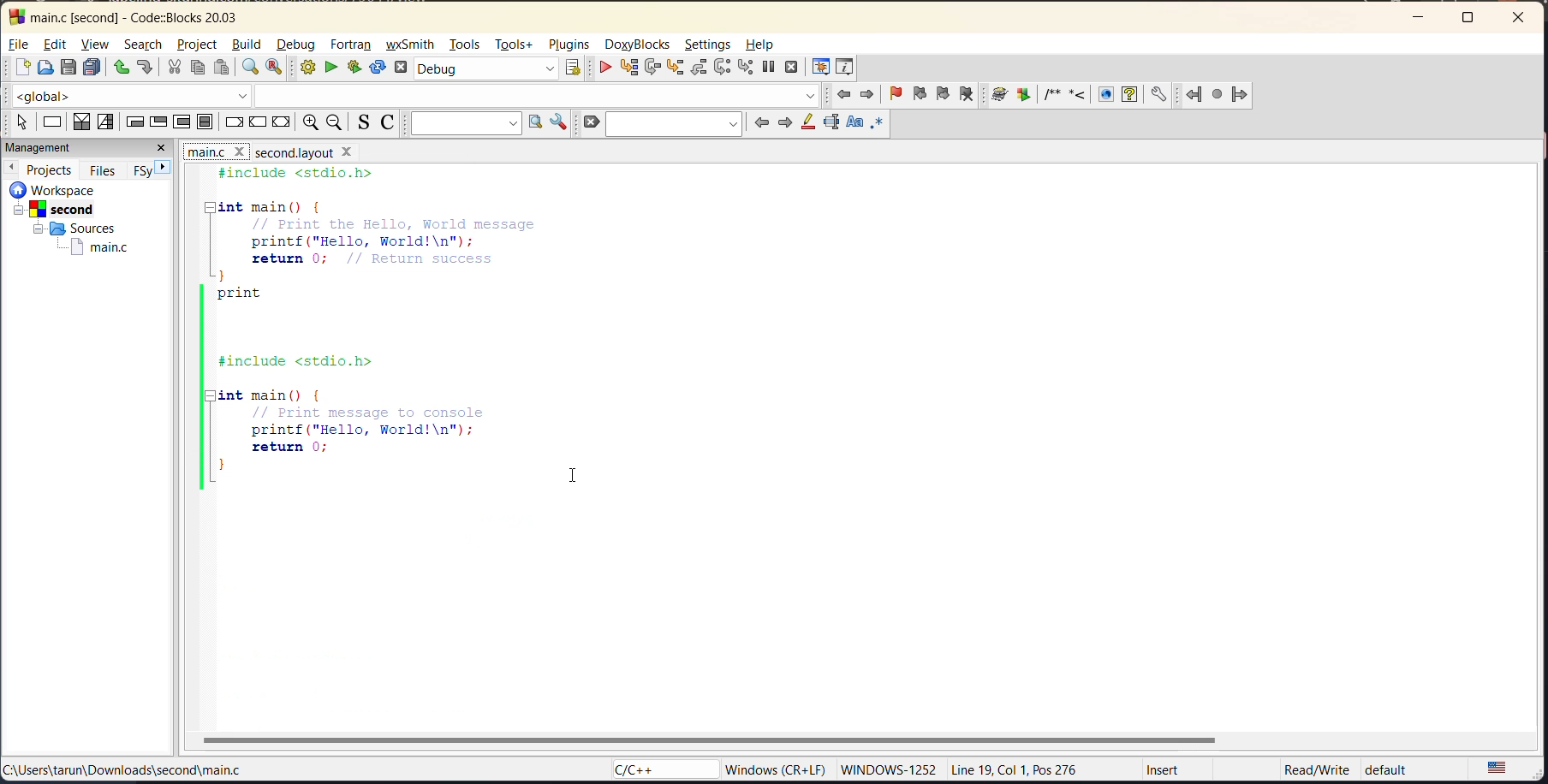 Image resolution: width=1548 pixels, height=784 pixels. What do you see at coordinates (134, 122) in the screenshot?
I see `entry condition loop` at bounding box center [134, 122].